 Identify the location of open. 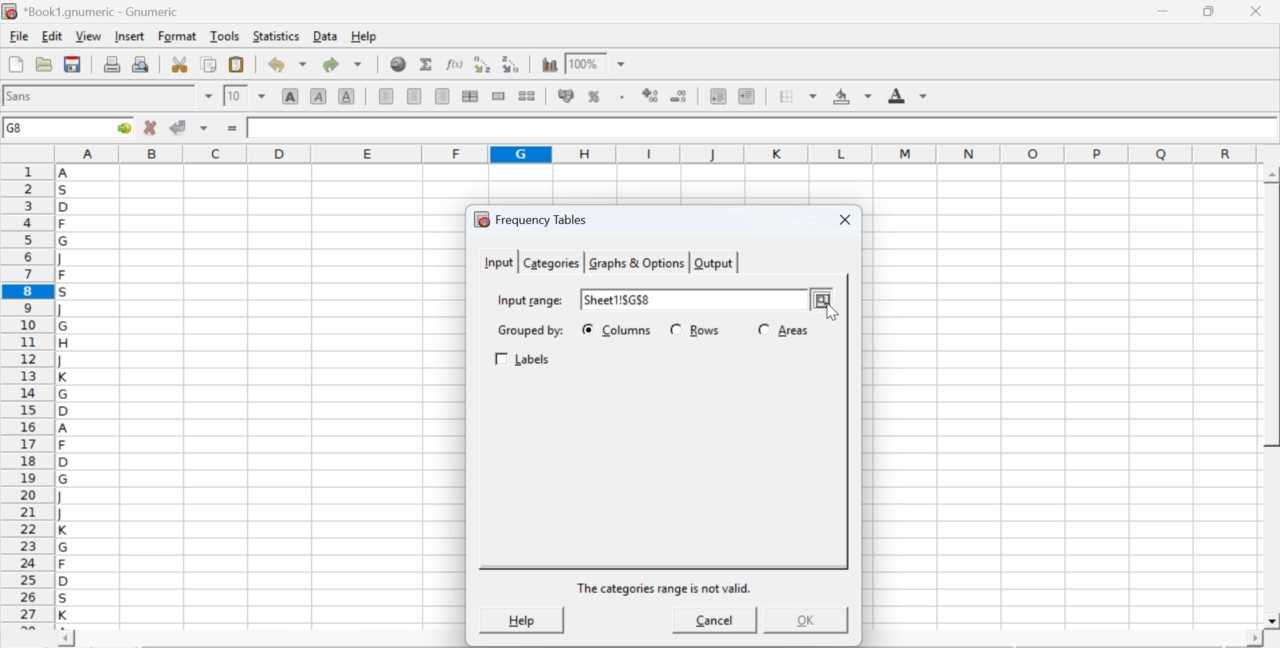
(42, 64).